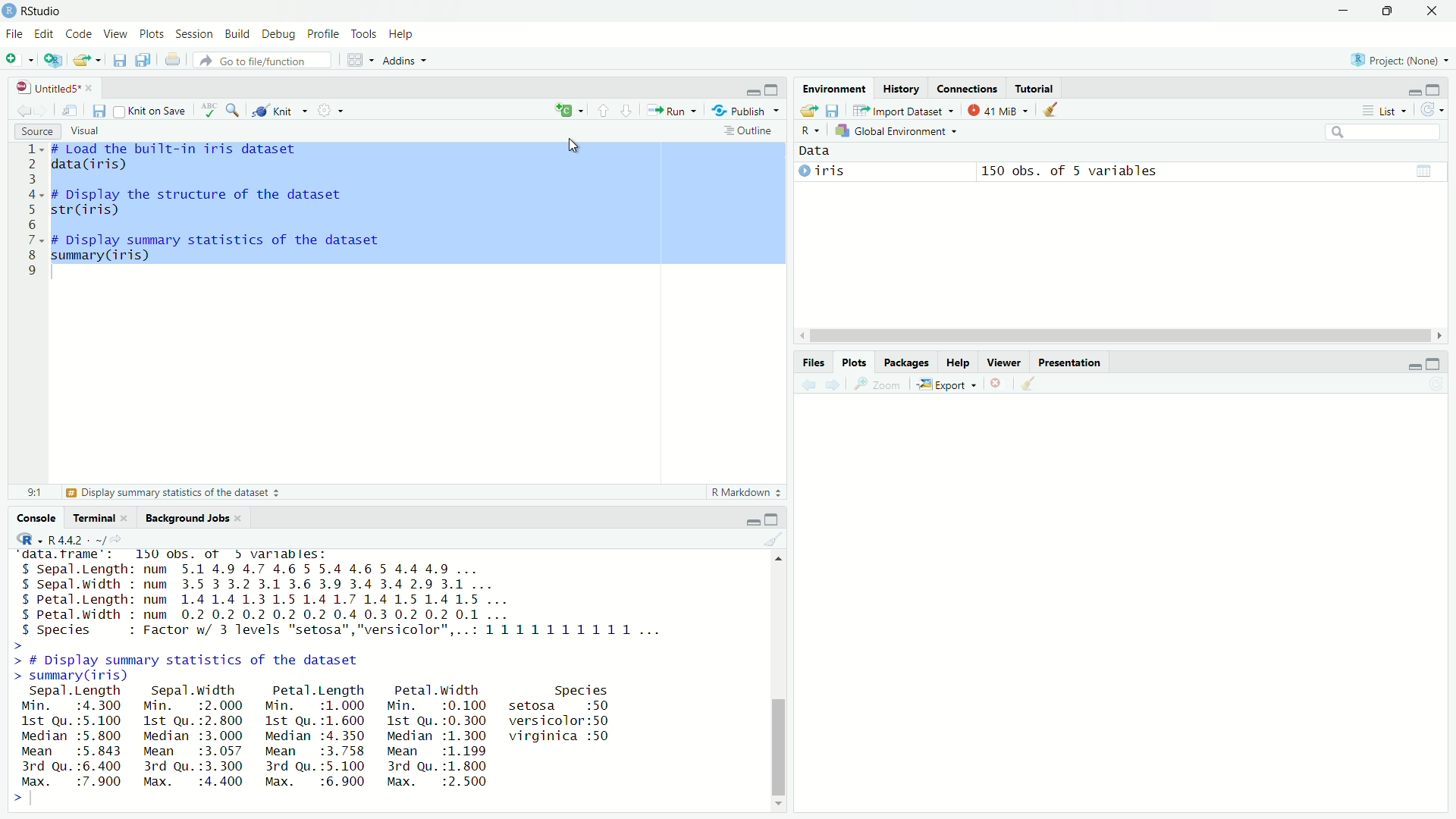 The height and width of the screenshot is (819, 1456). Describe the element at coordinates (834, 89) in the screenshot. I see `Environment` at that location.